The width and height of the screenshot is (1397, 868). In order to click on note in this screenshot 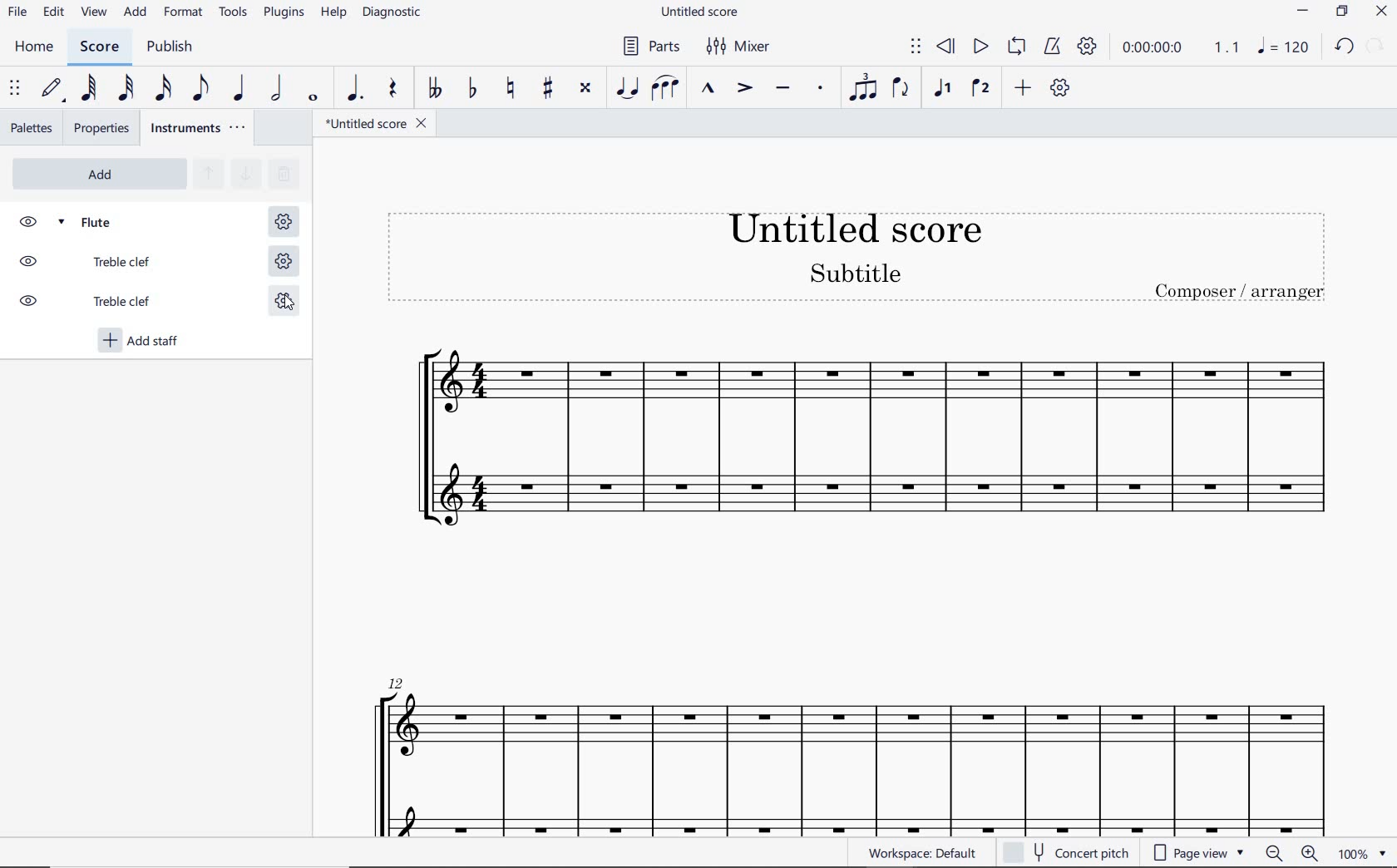, I will do `click(1287, 46)`.